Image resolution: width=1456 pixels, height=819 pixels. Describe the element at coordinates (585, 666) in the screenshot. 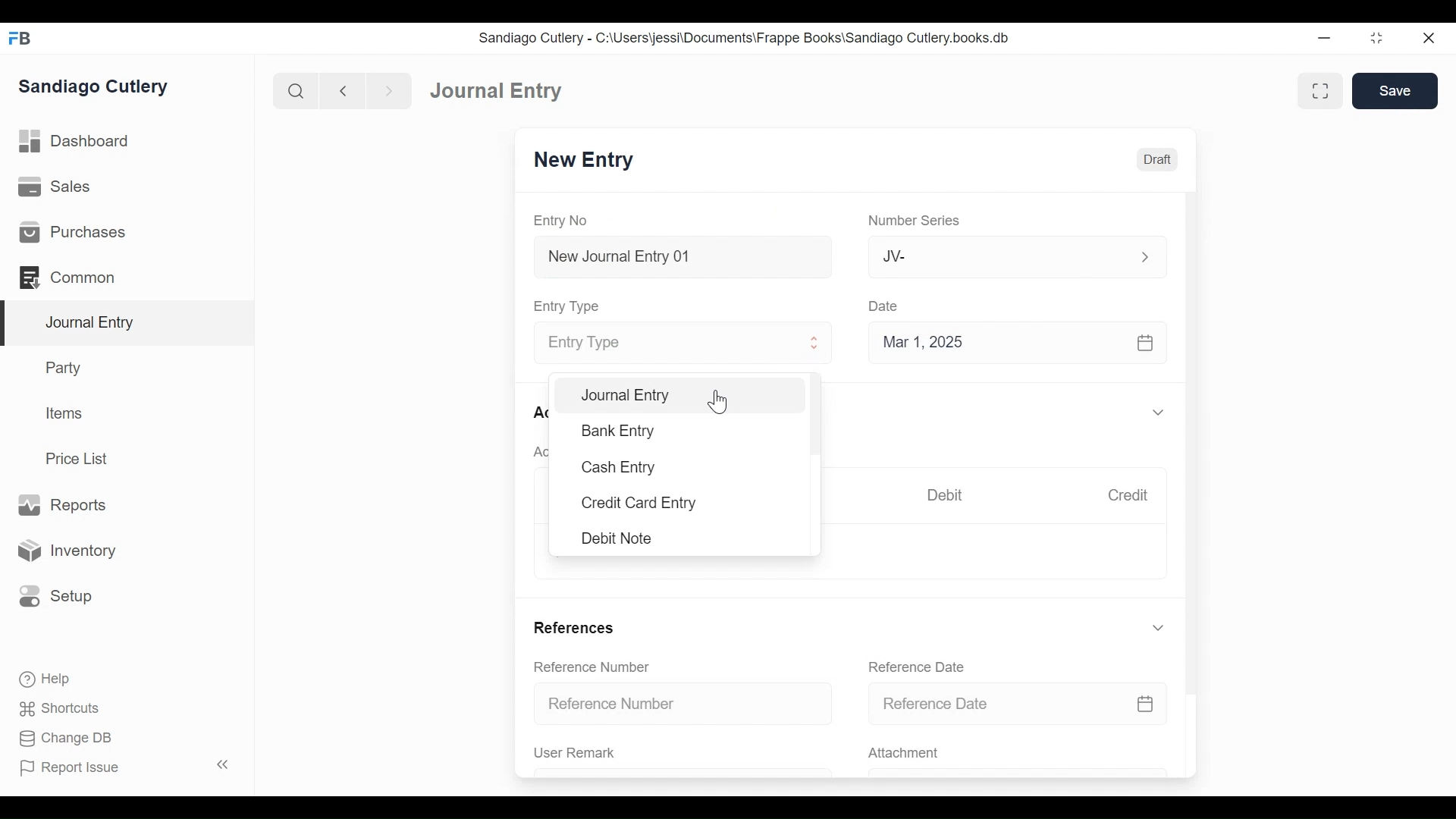

I see `Reference Number` at that location.